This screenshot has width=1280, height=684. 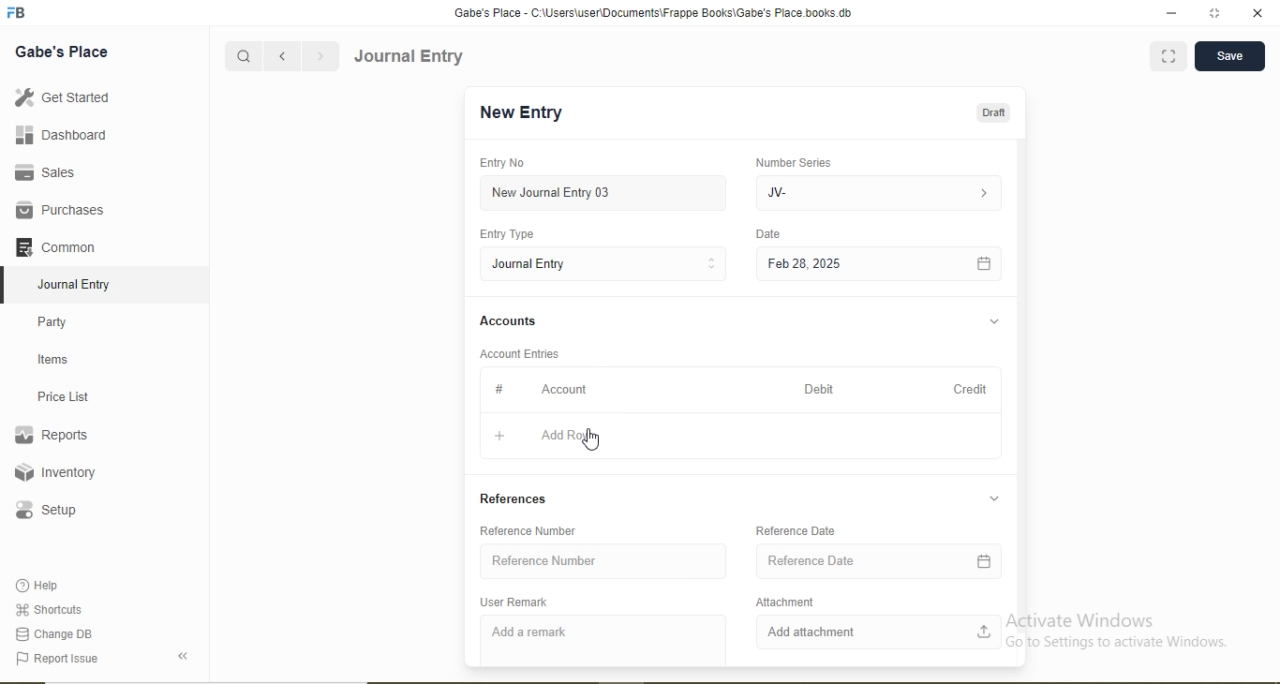 What do you see at coordinates (61, 96) in the screenshot?
I see `Get Started` at bounding box center [61, 96].